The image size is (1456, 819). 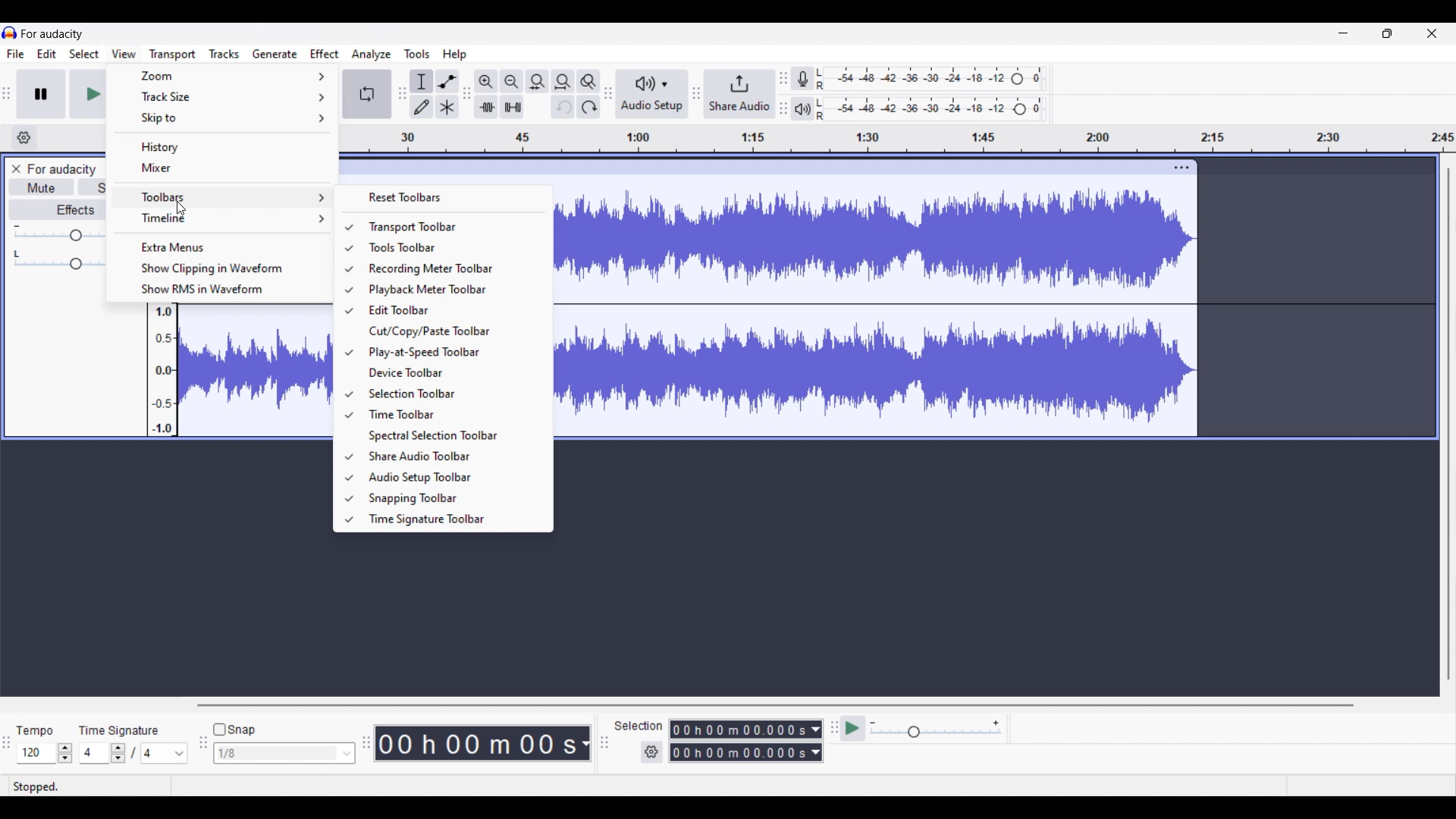 What do you see at coordinates (173, 55) in the screenshot?
I see `Transport` at bounding box center [173, 55].